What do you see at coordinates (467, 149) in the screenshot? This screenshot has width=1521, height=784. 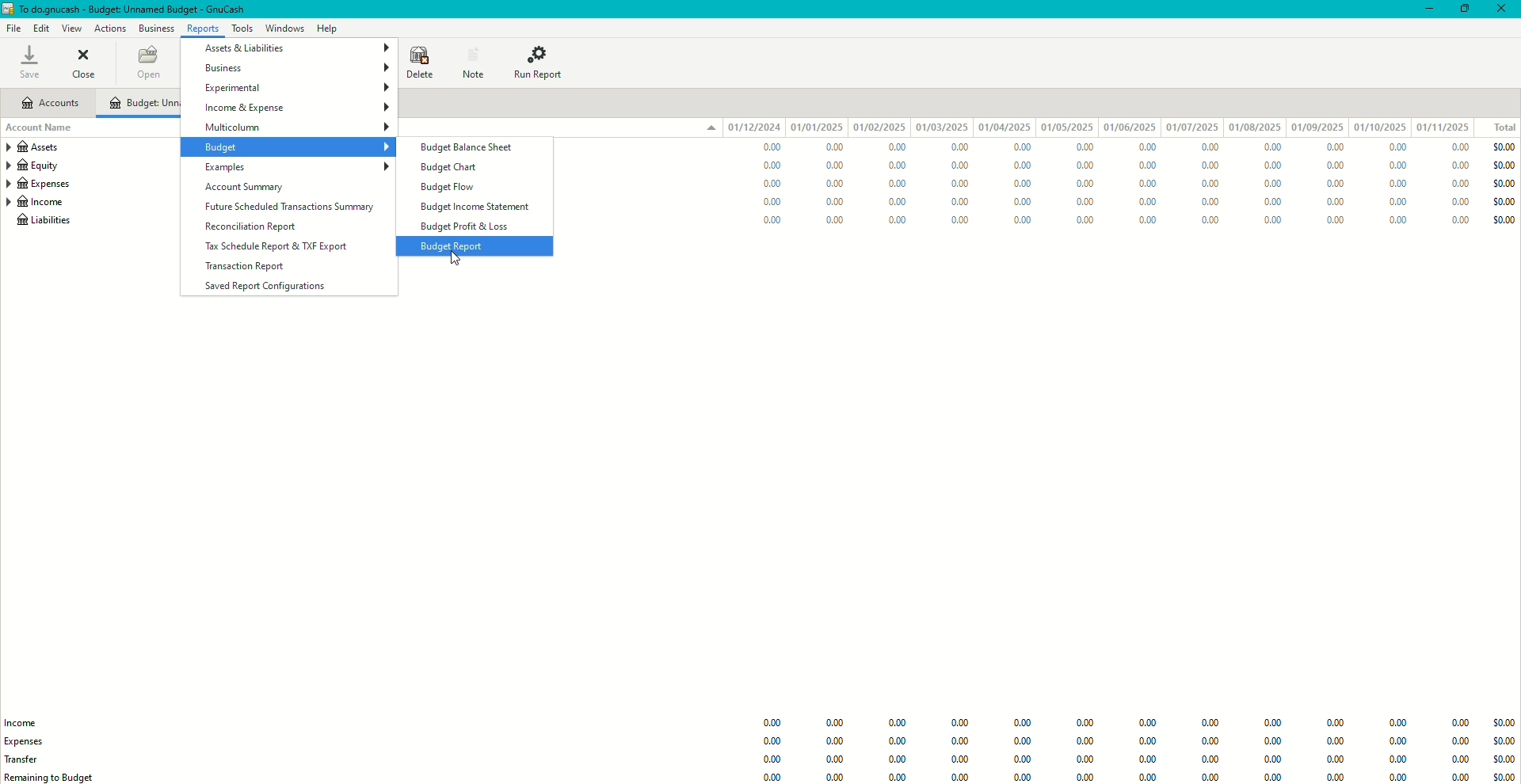 I see `Budget Balance Sheet` at bounding box center [467, 149].